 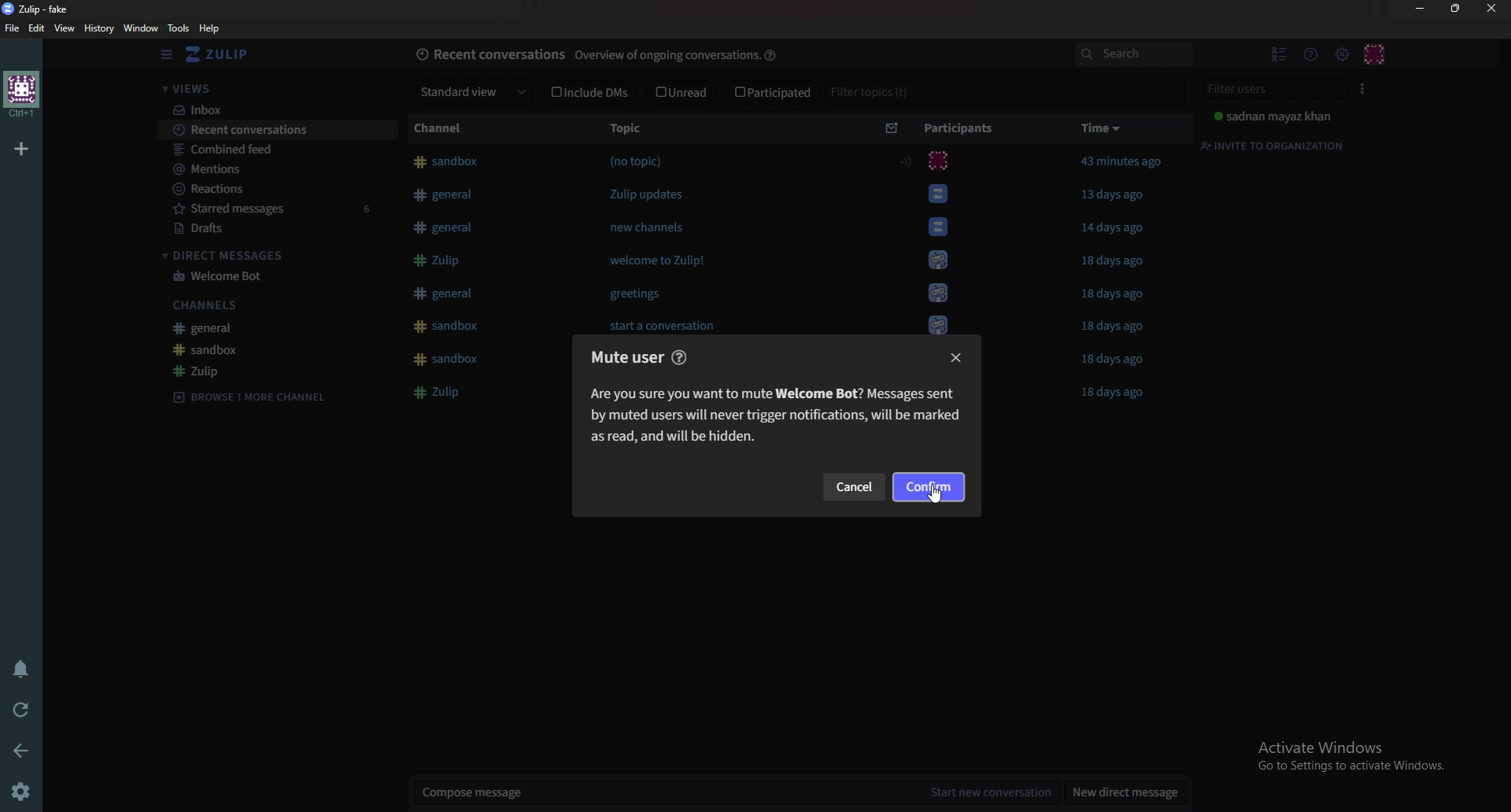 What do you see at coordinates (68, 28) in the screenshot?
I see `view` at bounding box center [68, 28].